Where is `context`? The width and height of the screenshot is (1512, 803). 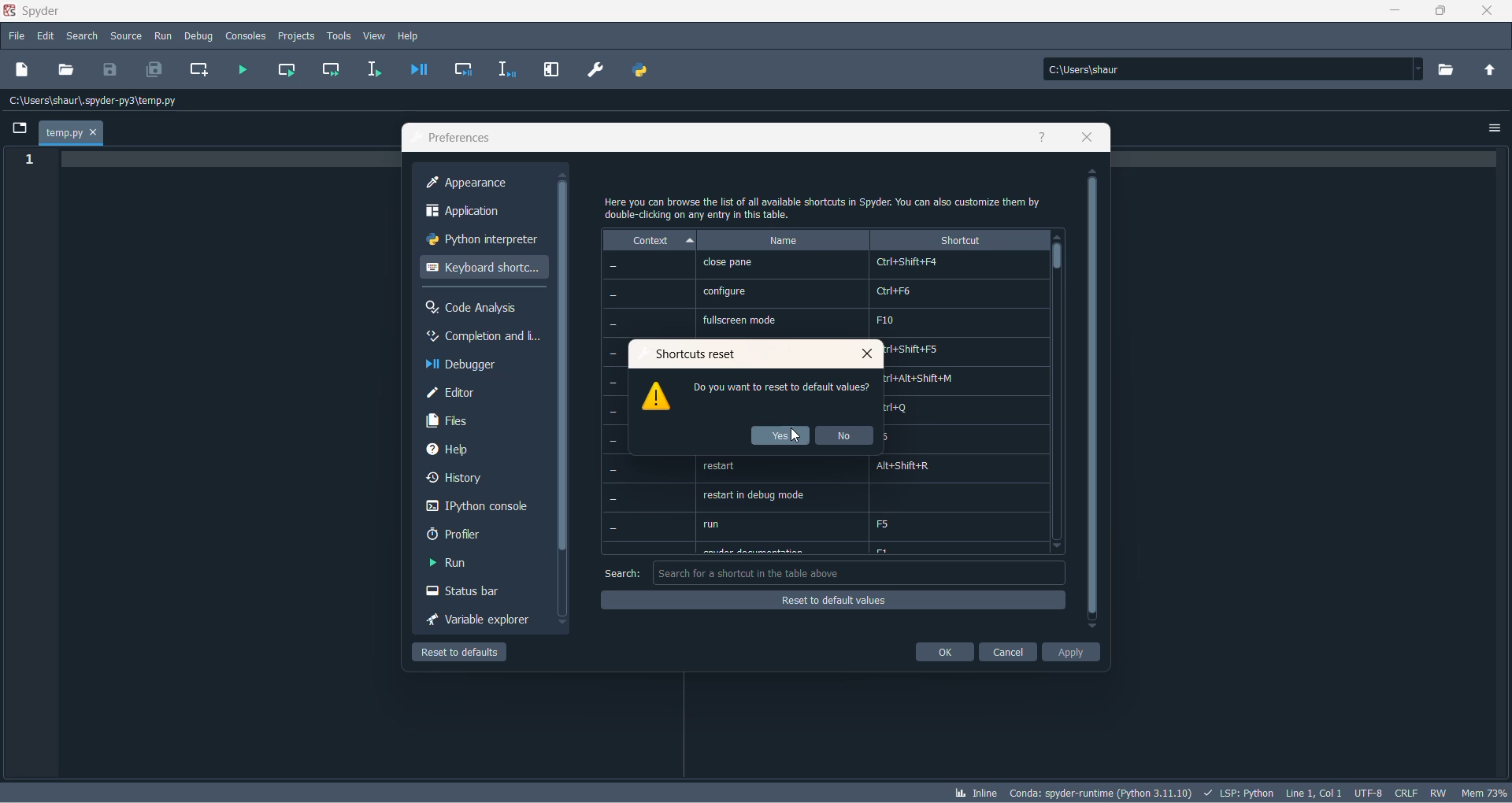
context is located at coordinates (649, 240).